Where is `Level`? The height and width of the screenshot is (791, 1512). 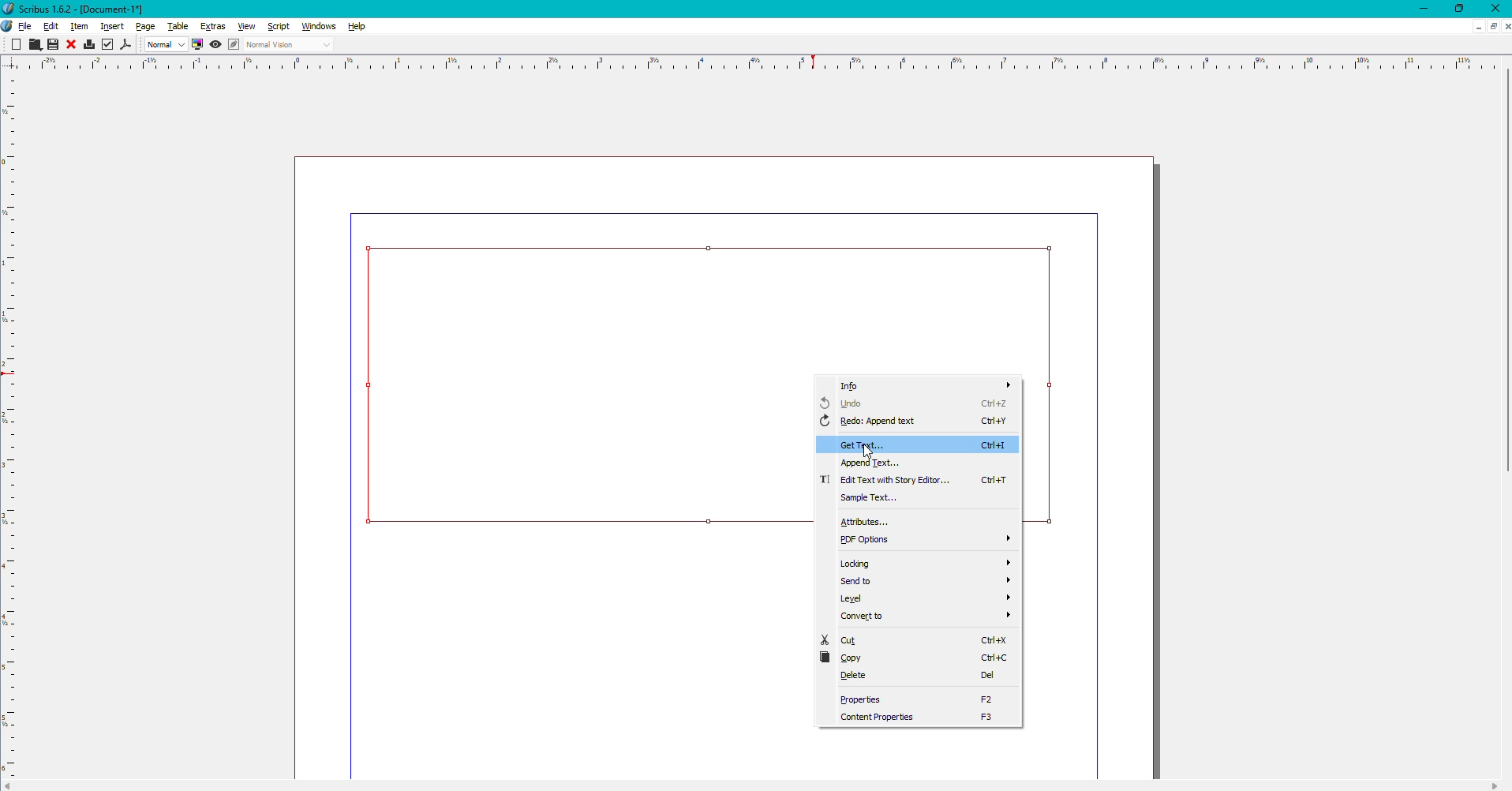 Level is located at coordinates (912, 599).